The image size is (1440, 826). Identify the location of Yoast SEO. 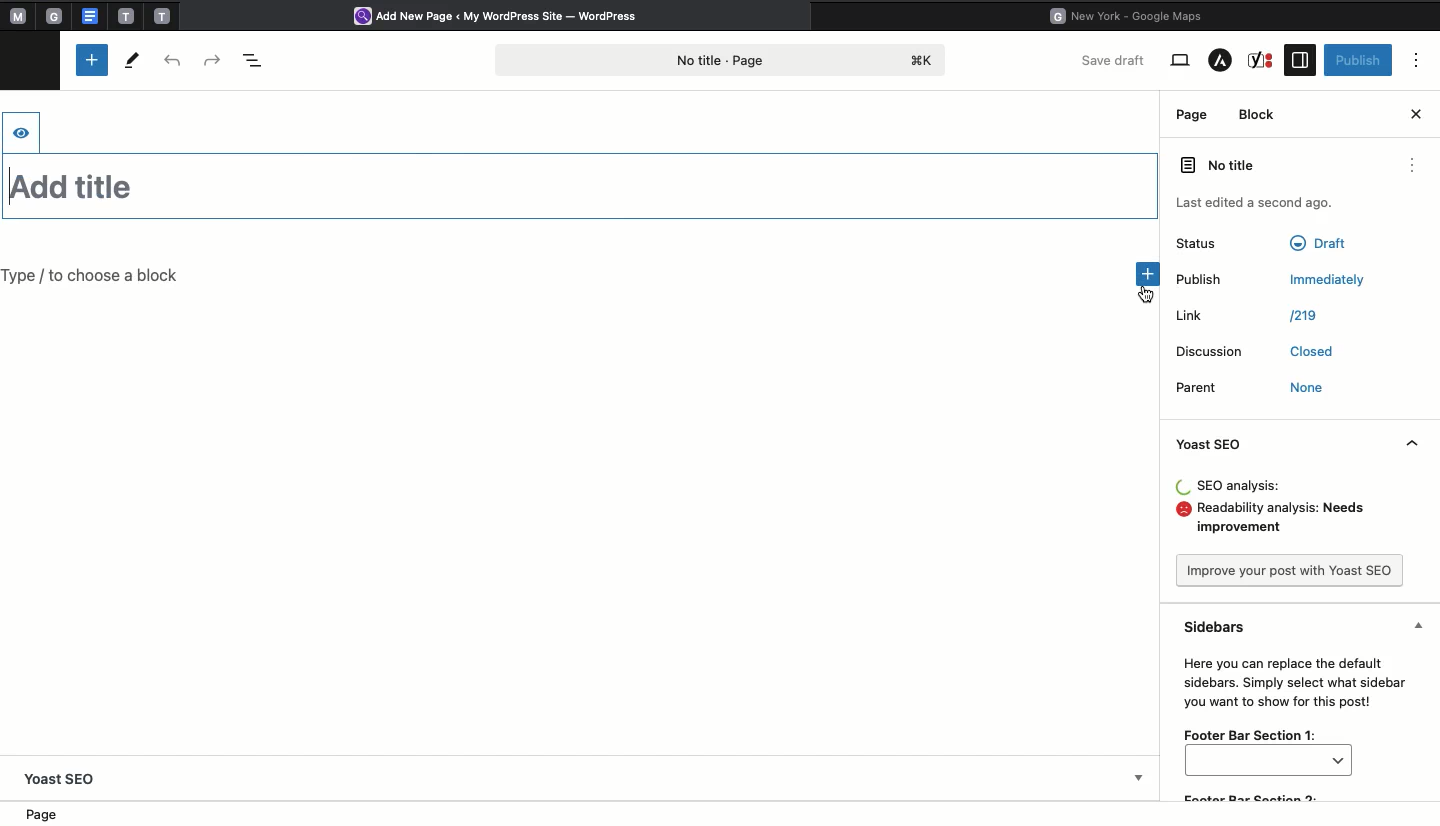
(75, 779).